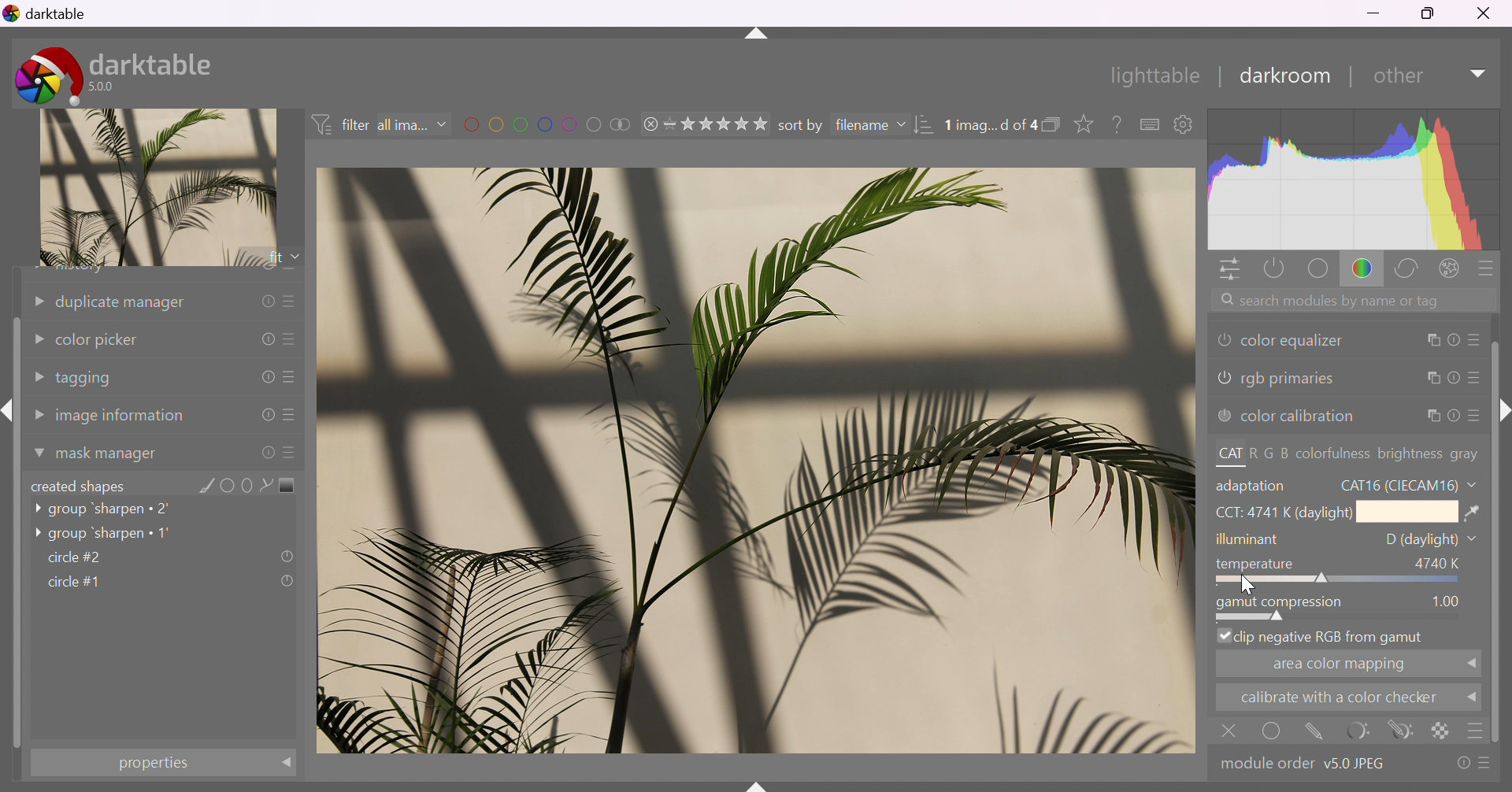  What do you see at coordinates (1348, 455) in the screenshot?
I see `CAT` at bounding box center [1348, 455].